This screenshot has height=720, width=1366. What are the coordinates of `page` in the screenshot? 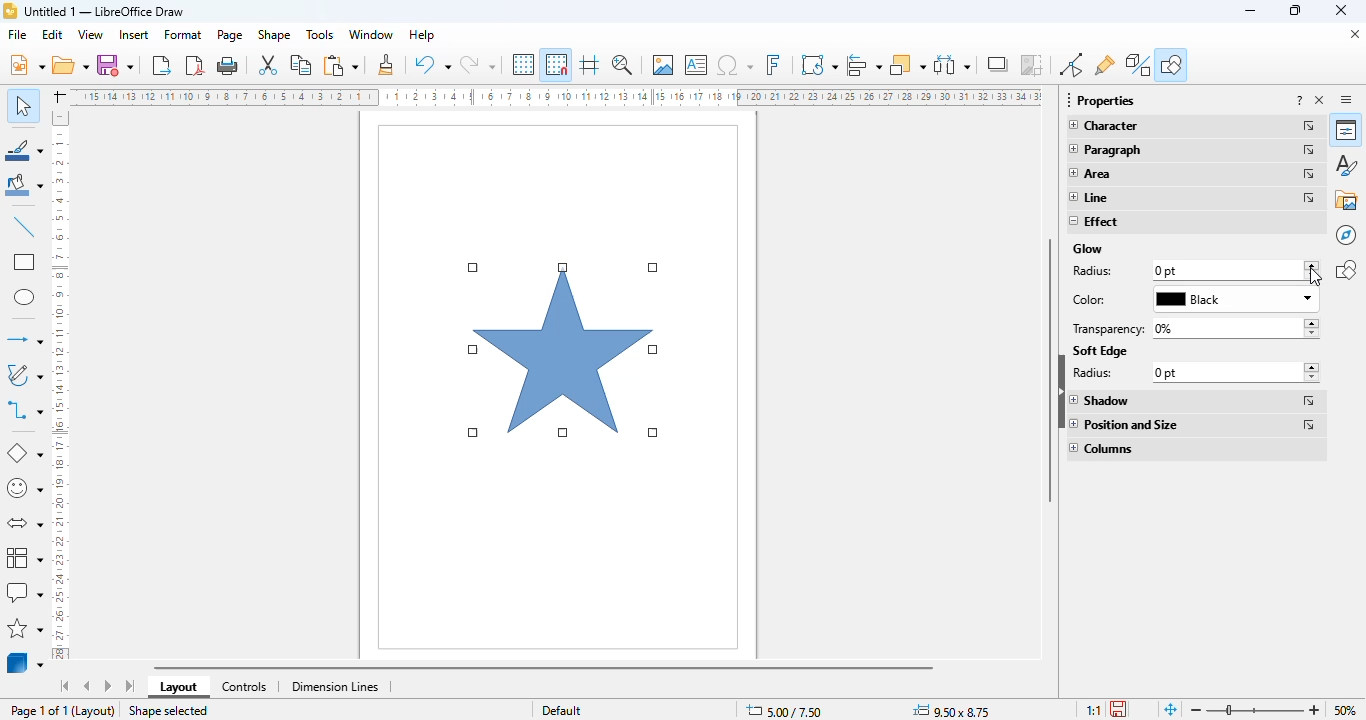 It's located at (231, 34).